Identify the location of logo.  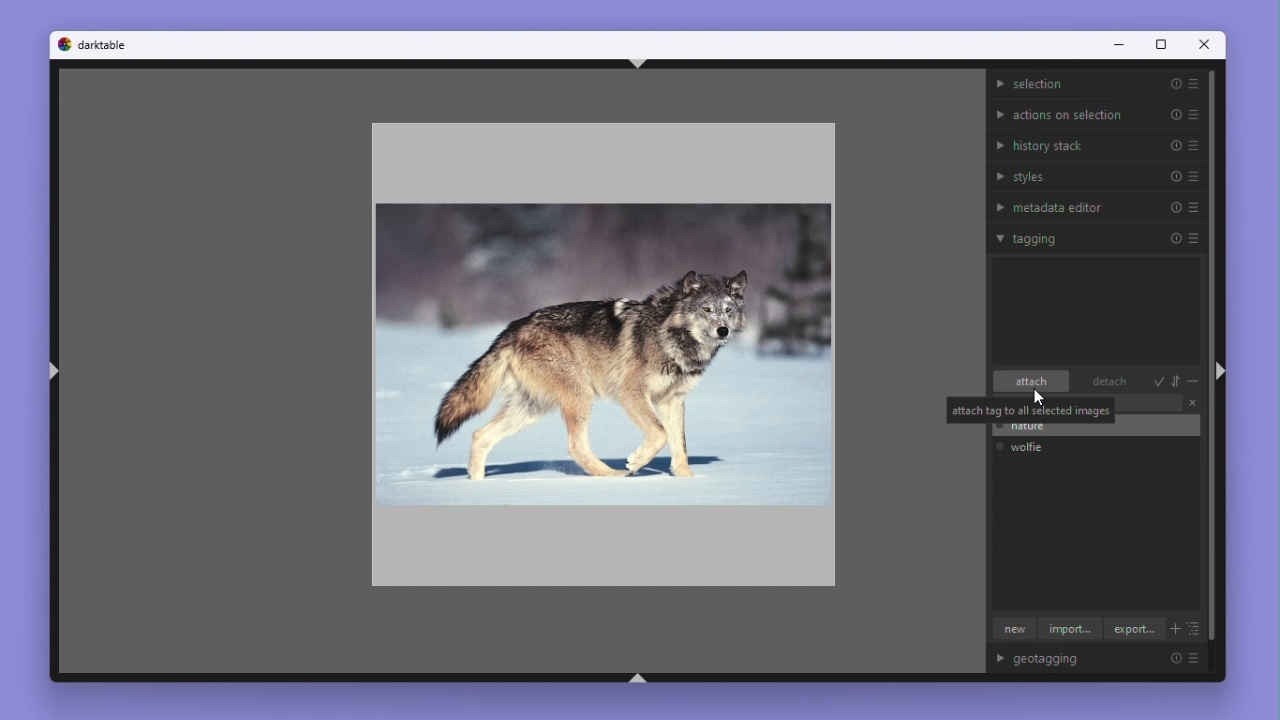
(63, 43).